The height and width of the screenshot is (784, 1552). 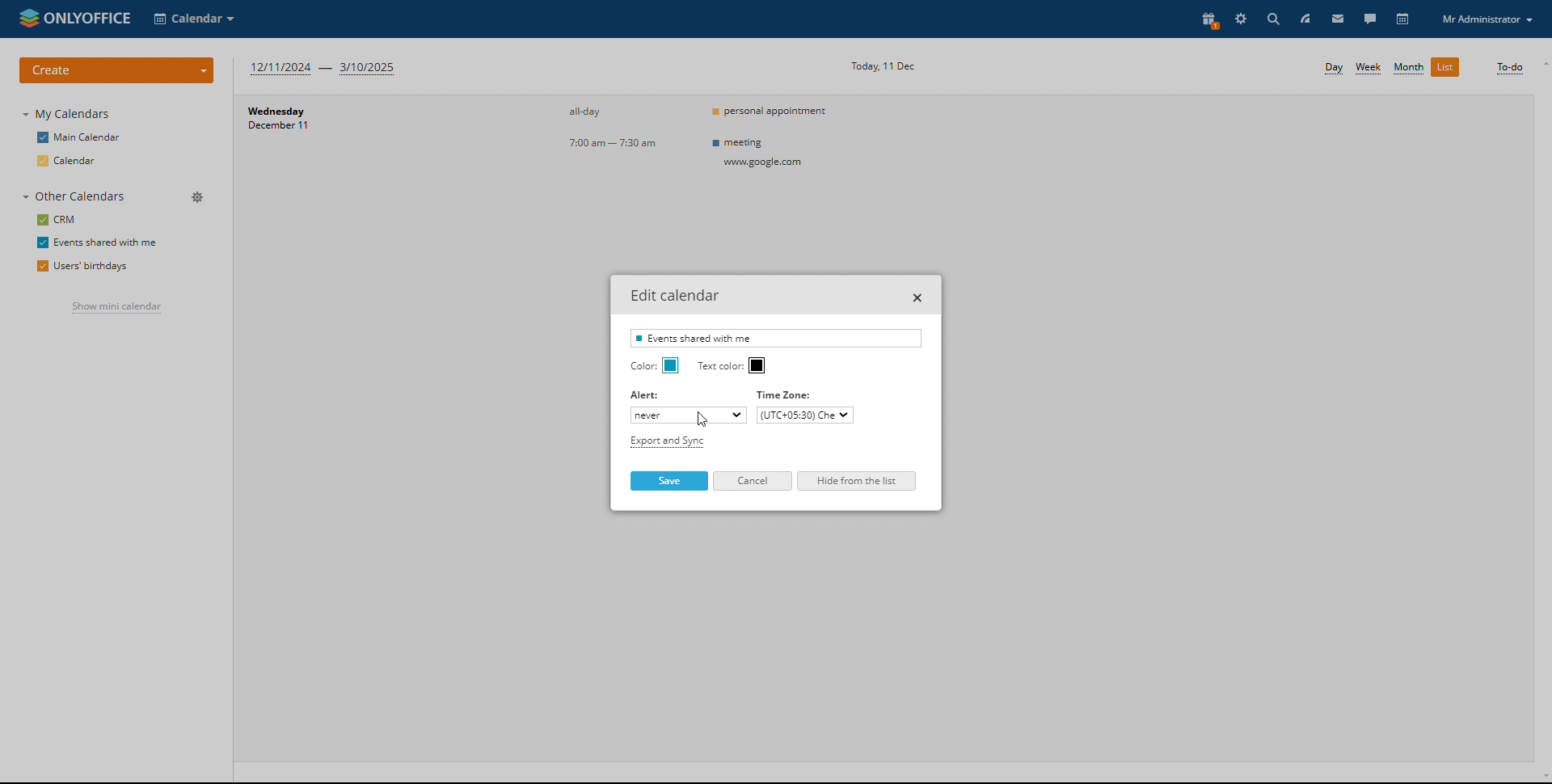 What do you see at coordinates (709, 419) in the screenshot?
I see `cursor` at bounding box center [709, 419].